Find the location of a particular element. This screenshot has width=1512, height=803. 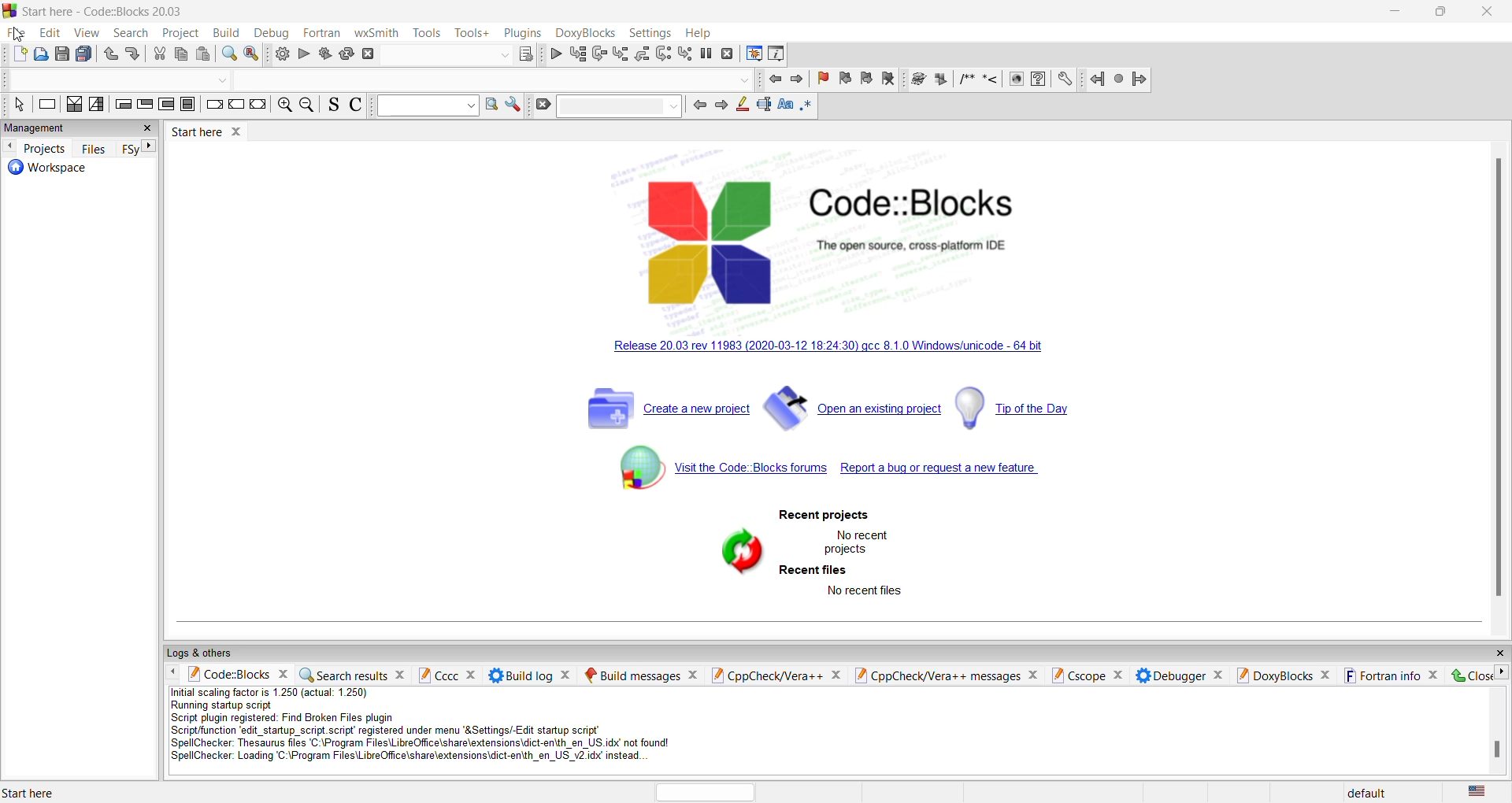

move left is located at coordinates (174, 673).